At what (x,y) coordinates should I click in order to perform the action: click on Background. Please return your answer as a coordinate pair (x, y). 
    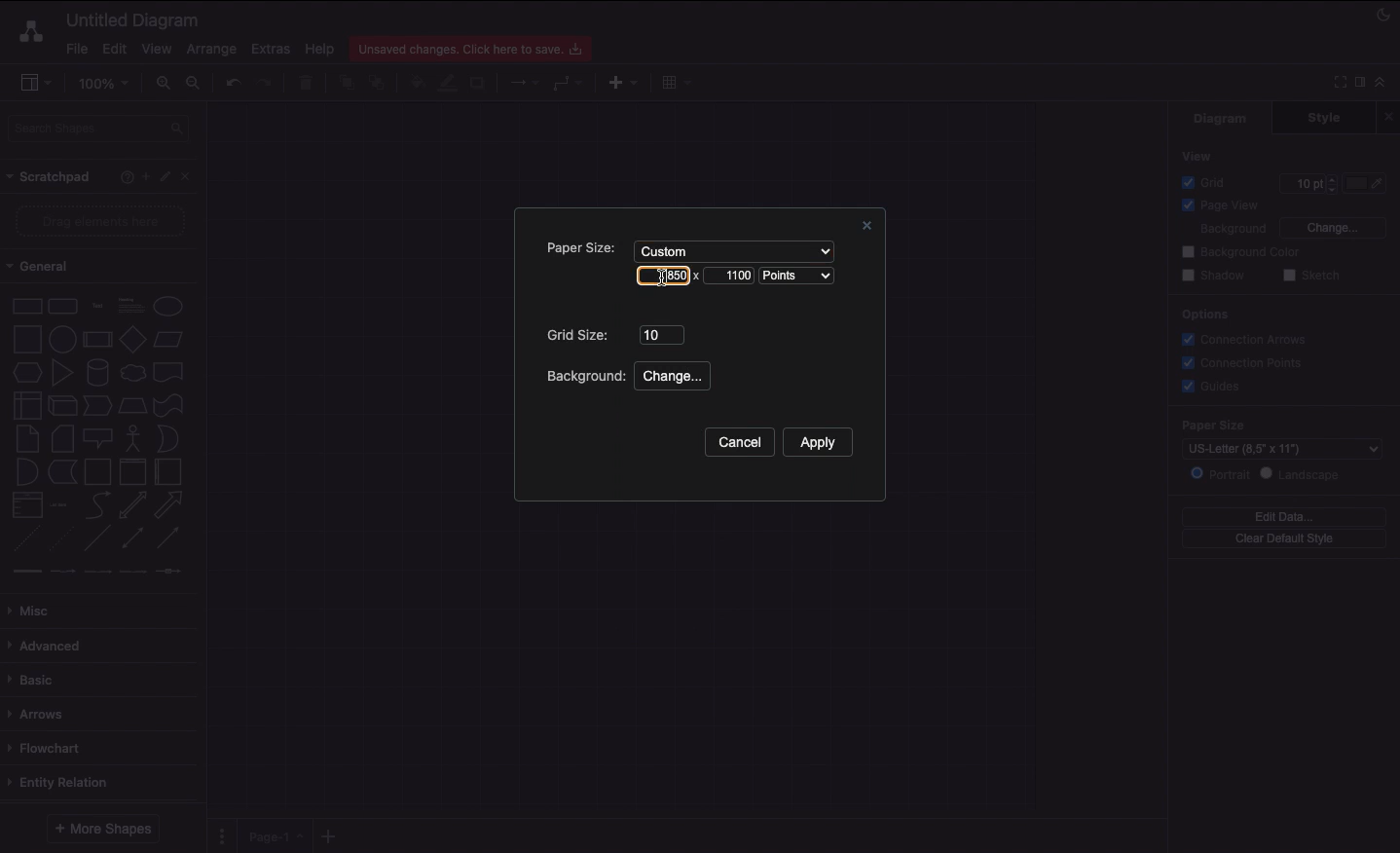
    Looking at the image, I should click on (583, 376).